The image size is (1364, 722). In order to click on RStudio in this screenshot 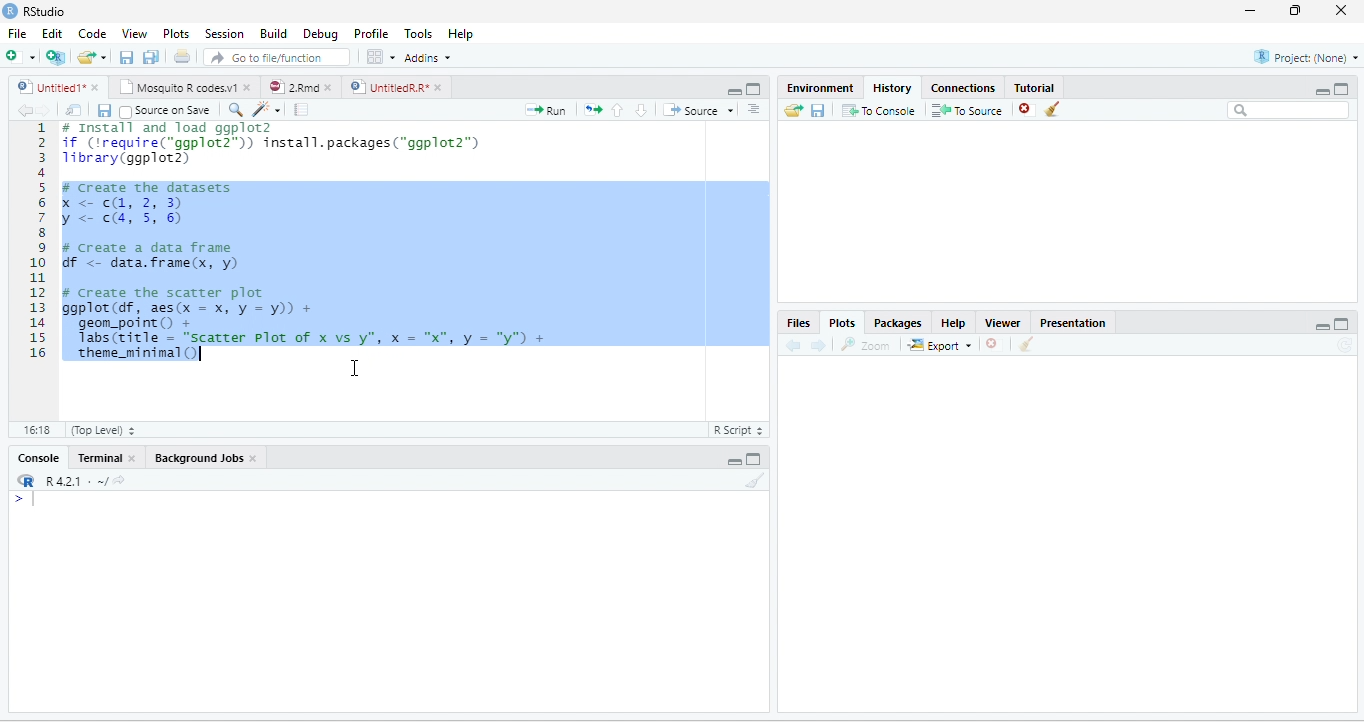, I will do `click(34, 11)`.